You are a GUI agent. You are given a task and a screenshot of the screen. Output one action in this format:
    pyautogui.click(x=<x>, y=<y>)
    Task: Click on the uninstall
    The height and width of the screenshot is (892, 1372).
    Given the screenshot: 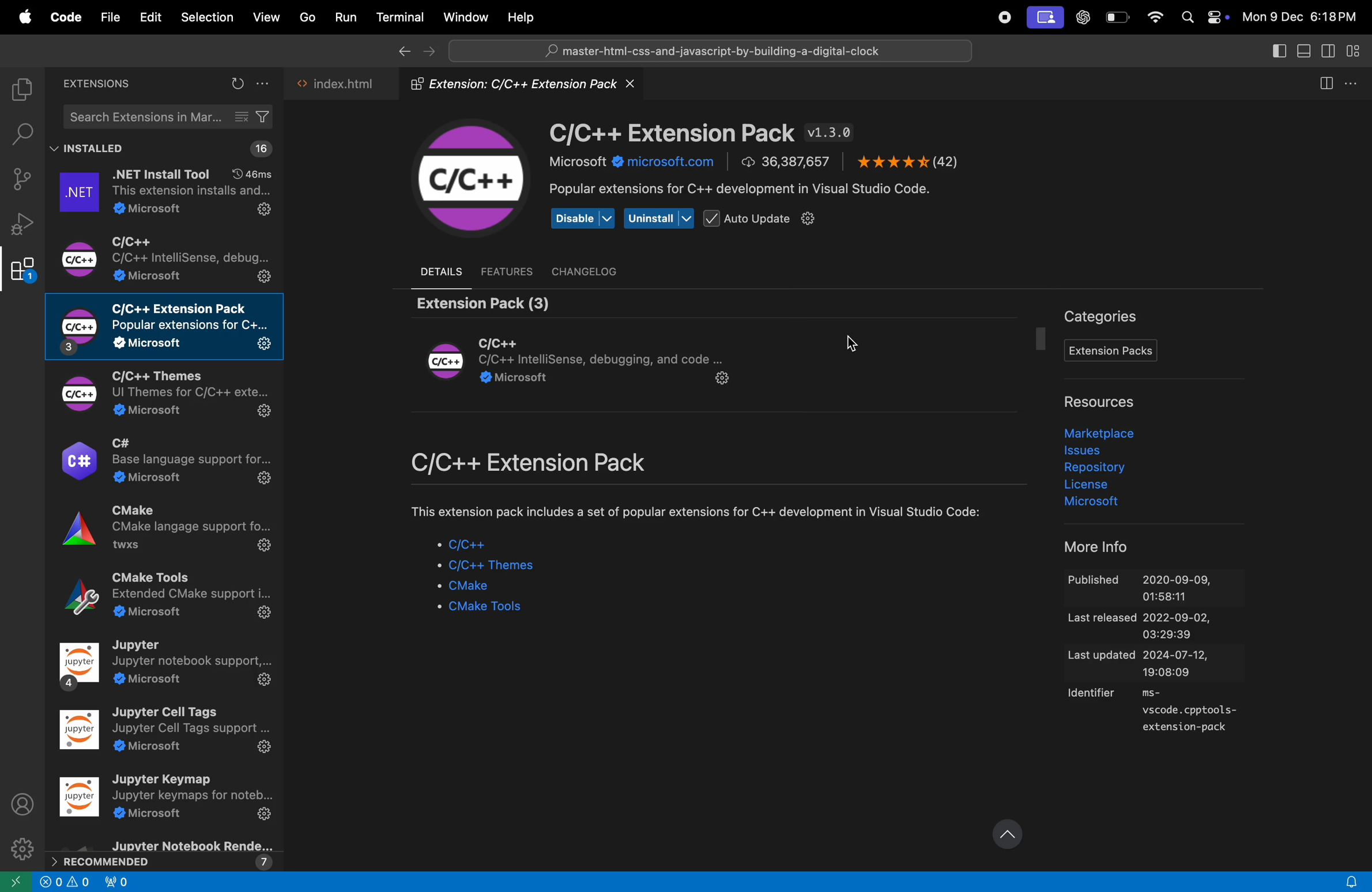 What is the action you would take?
    pyautogui.click(x=659, y=218)
    